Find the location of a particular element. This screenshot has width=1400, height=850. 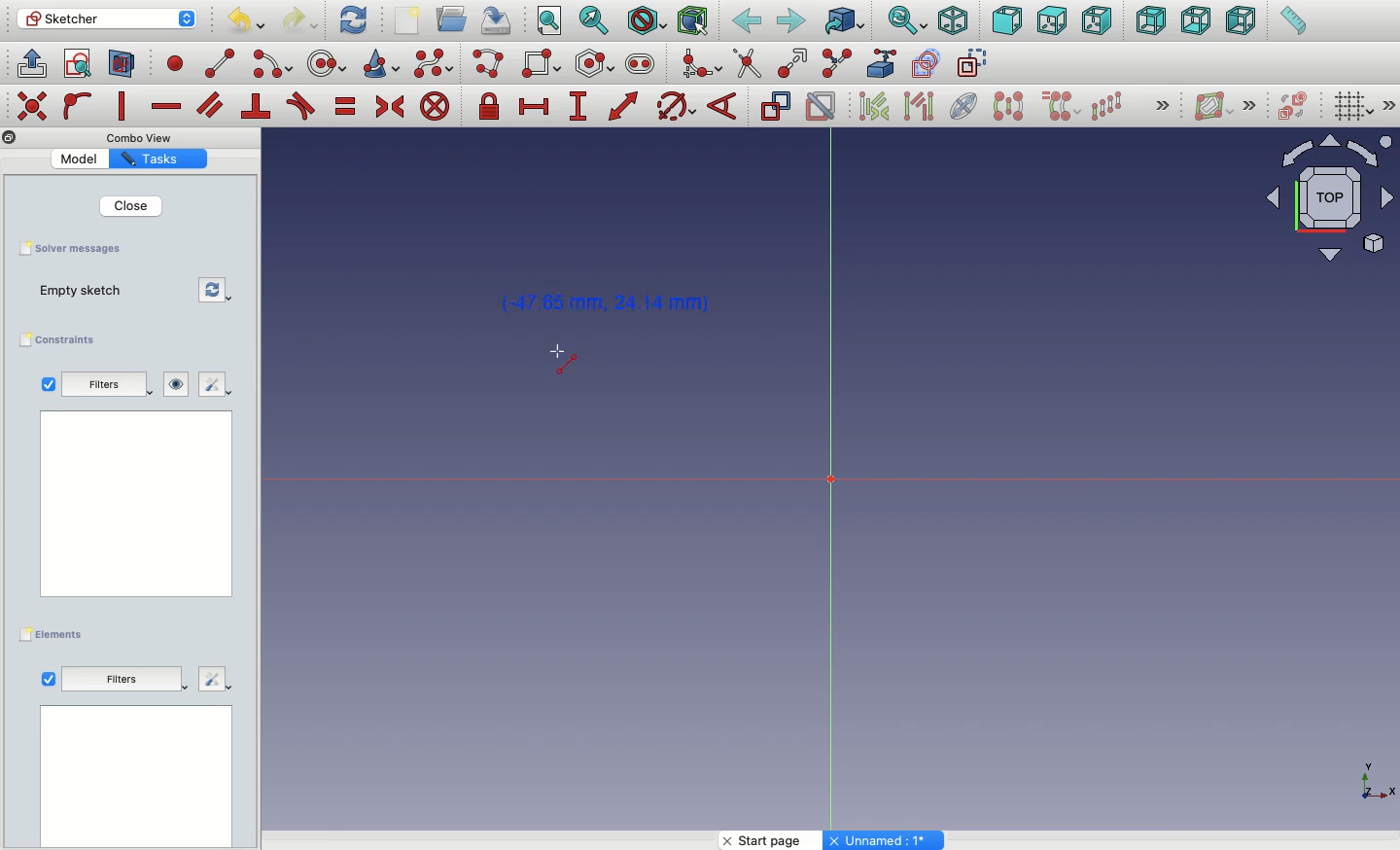

Toggle grid is located at coordinates (1354, 108).